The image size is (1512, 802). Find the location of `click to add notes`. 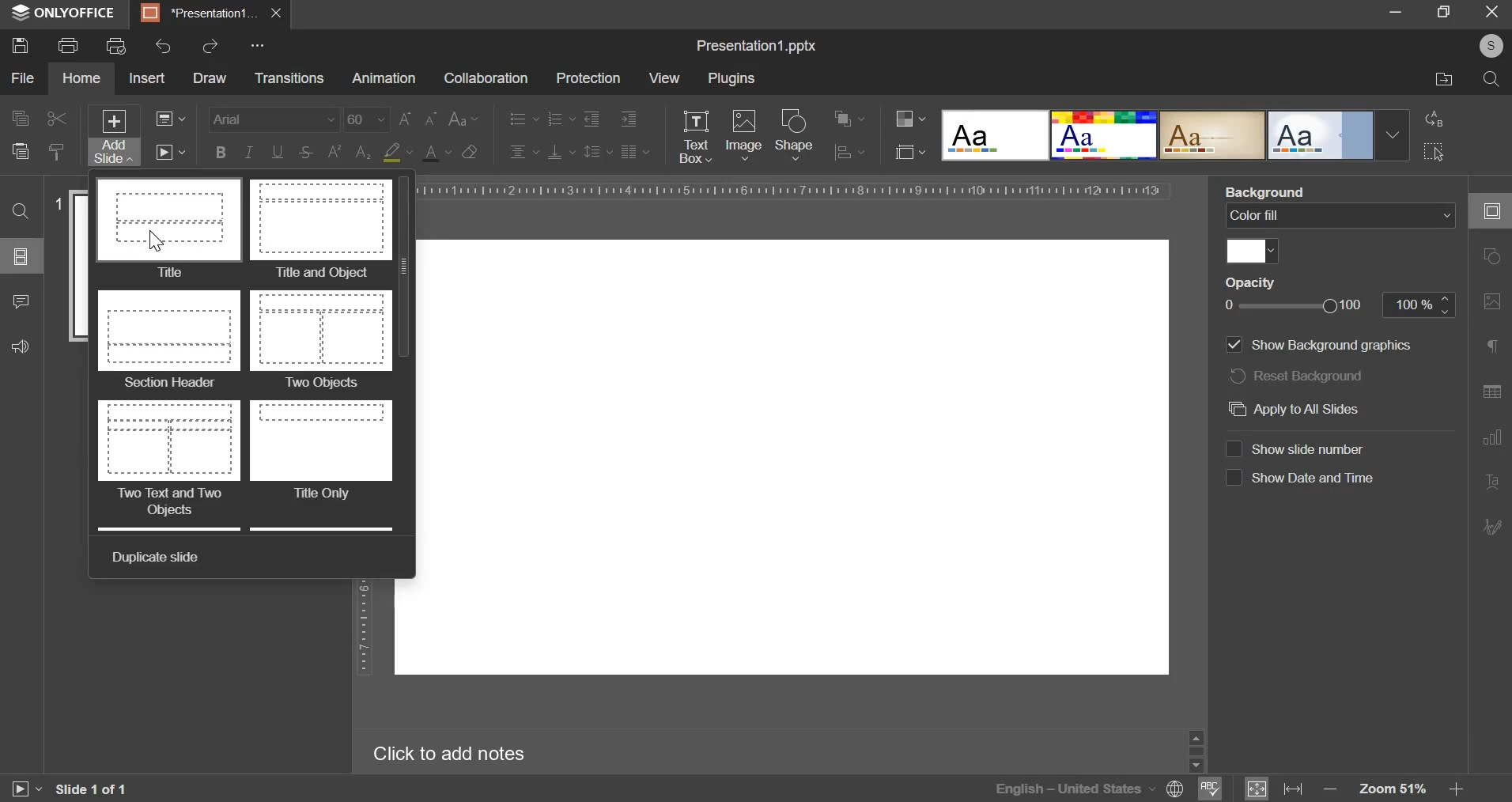

click to add notes is located at coordinates (460, 753).